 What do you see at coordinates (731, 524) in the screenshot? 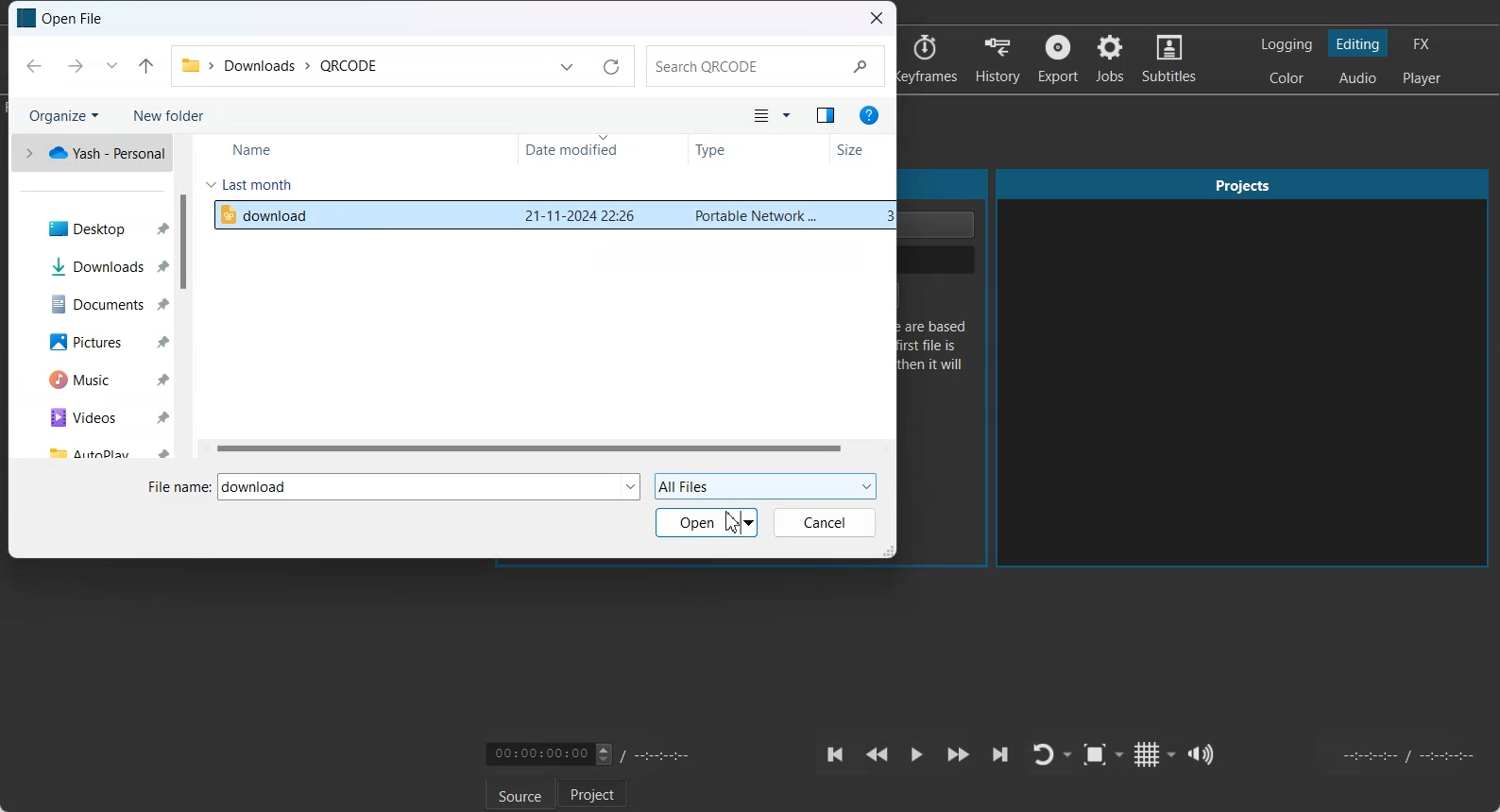
I see `Cursor` at bounding box center [731, 524].